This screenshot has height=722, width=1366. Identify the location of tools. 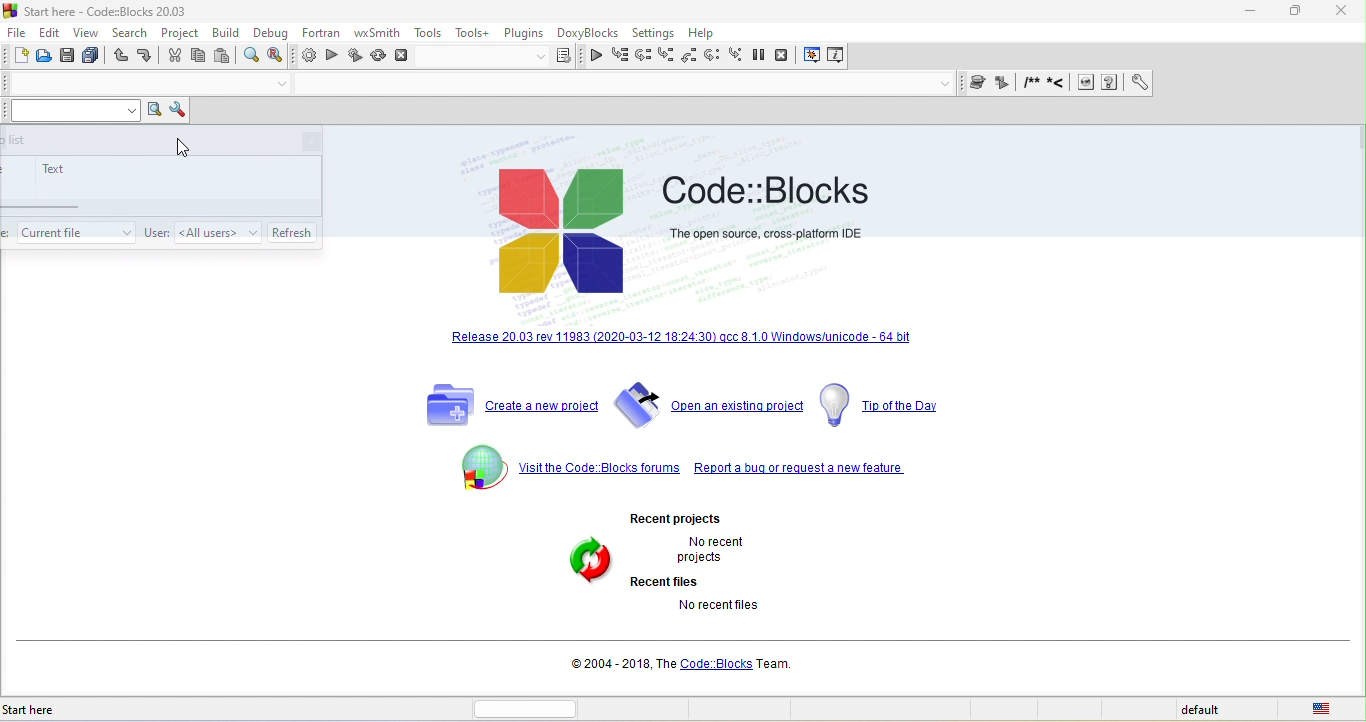
(428, 33).